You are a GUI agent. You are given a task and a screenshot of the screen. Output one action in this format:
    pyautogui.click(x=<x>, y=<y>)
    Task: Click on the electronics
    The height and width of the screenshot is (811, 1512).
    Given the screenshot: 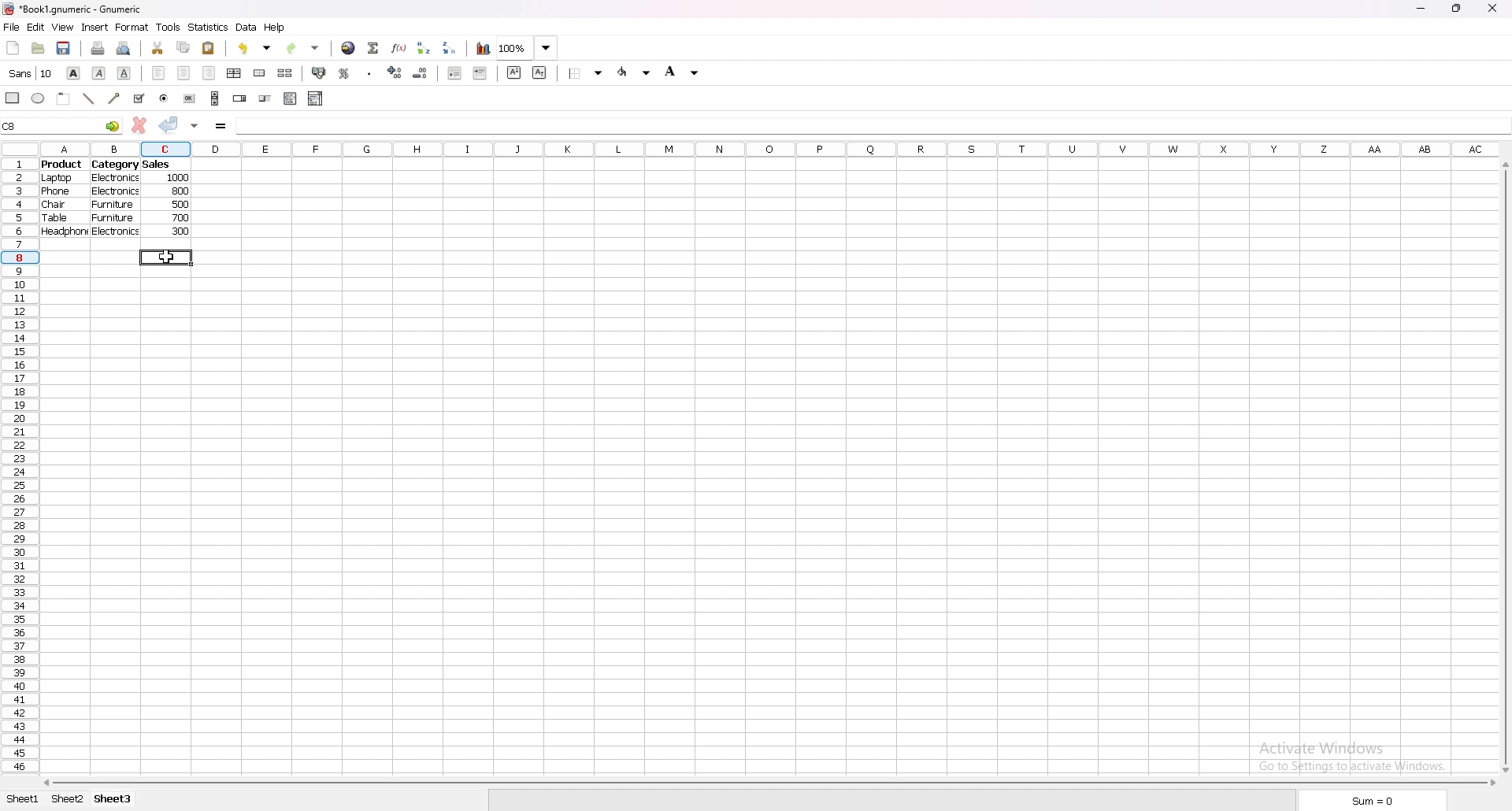 What is the action you would take?
    pyautogui.click(x=116, y=190)
    